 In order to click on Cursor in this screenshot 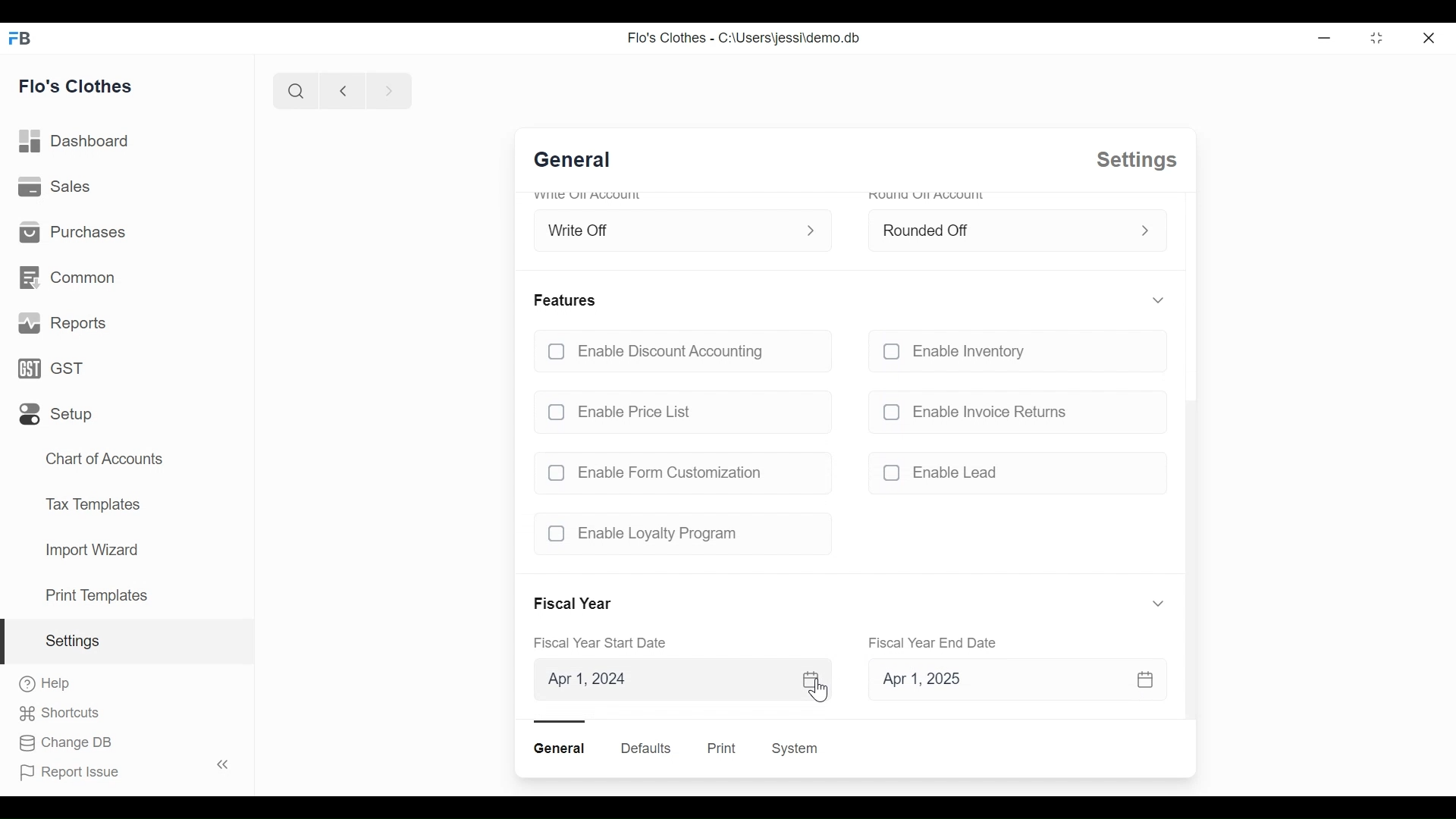, I will do `click(821, 691)`.